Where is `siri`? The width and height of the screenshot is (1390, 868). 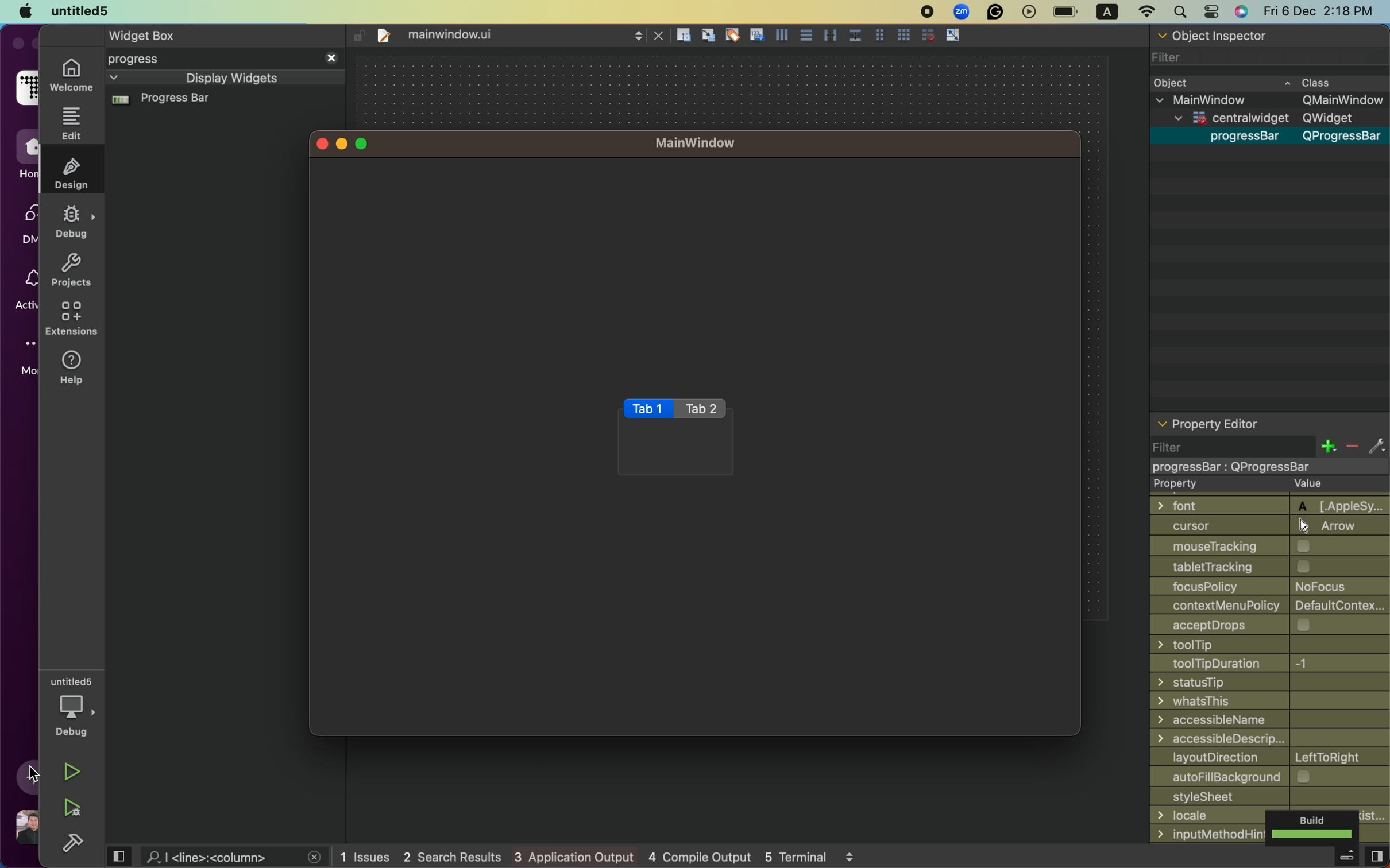
siri is located at coordinates (1242, 10).